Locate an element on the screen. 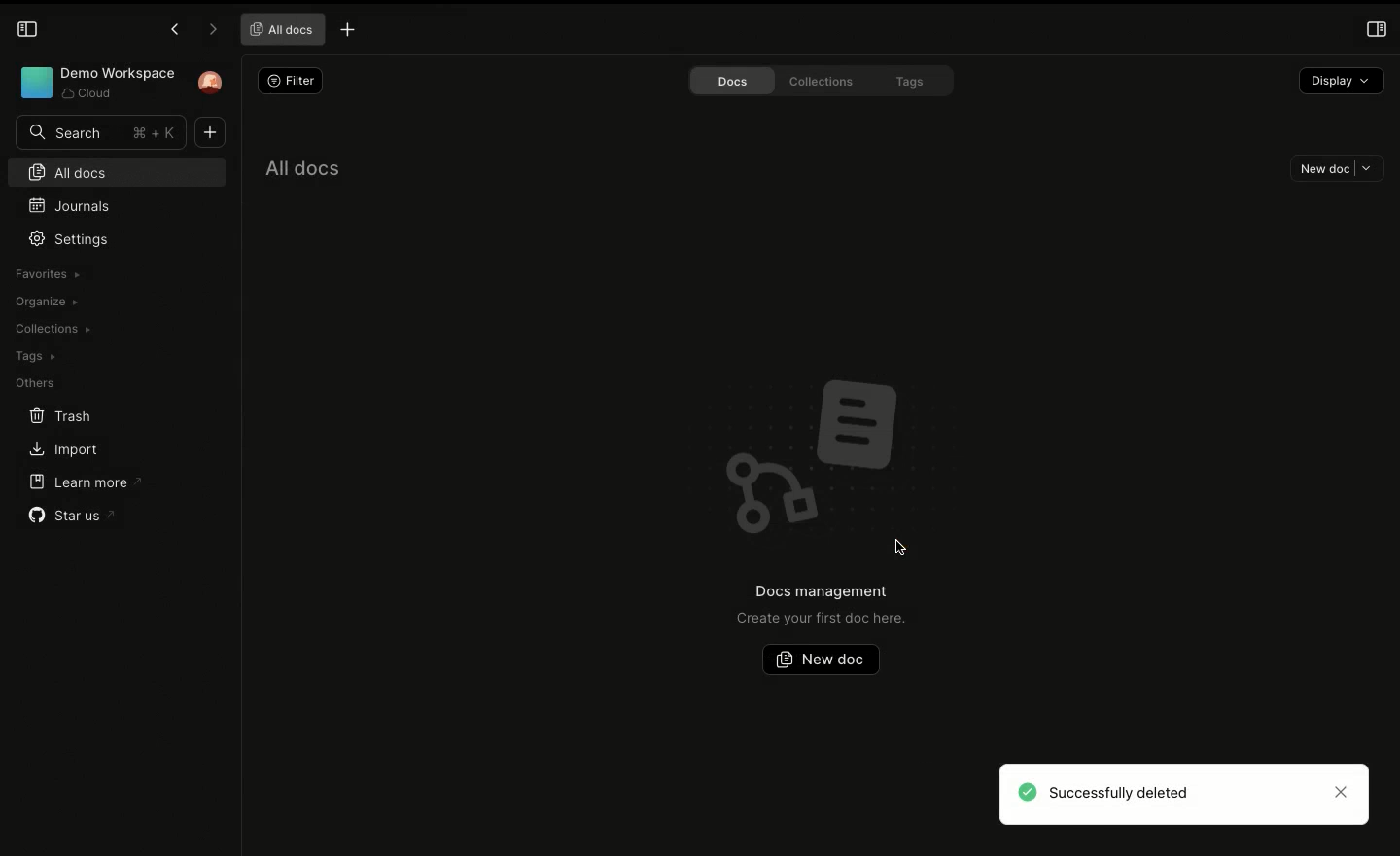  Collections is located at coordinates (52, 329).